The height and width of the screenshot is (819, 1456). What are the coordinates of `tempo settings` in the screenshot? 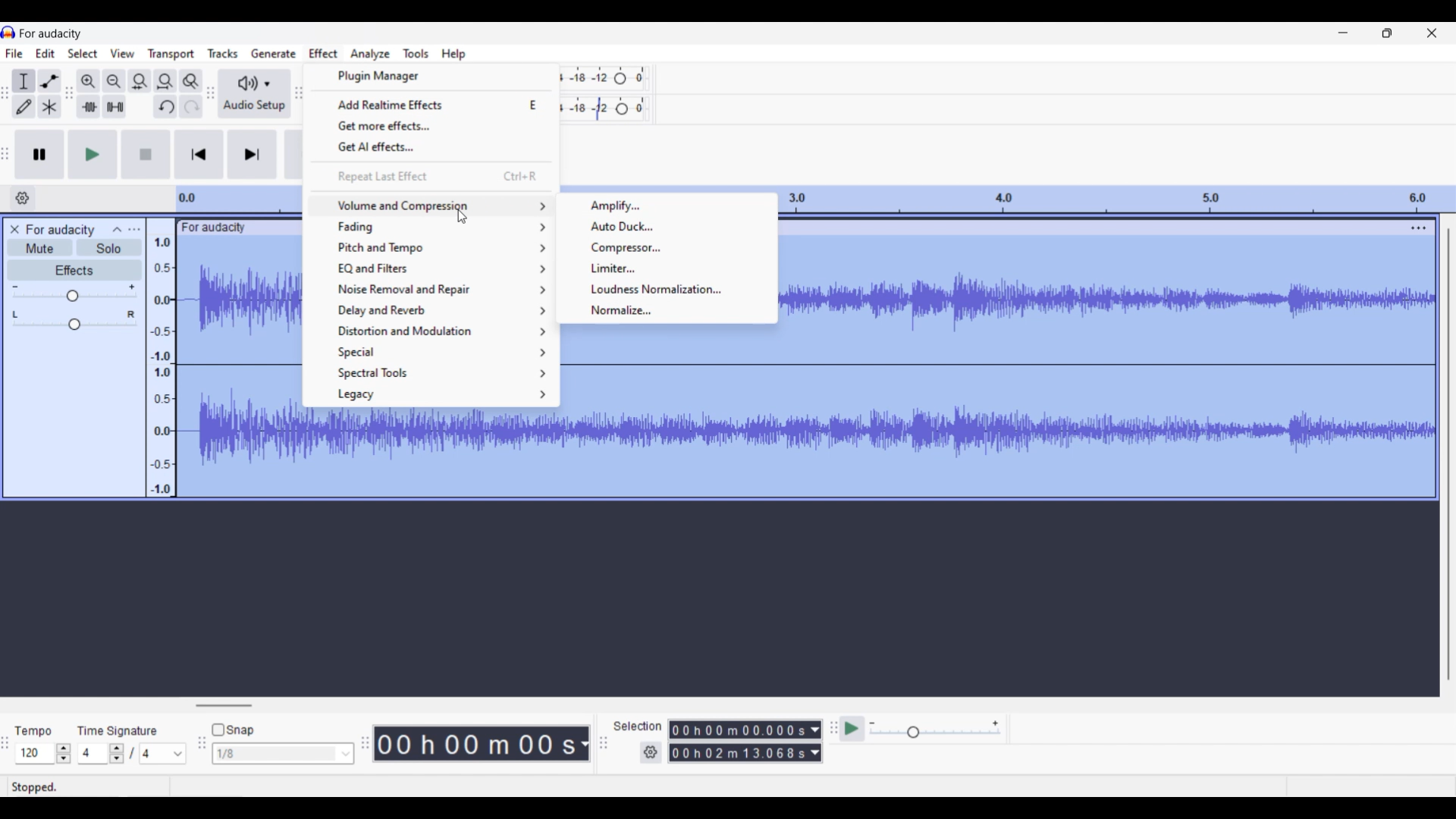 It's located at (43, 753).